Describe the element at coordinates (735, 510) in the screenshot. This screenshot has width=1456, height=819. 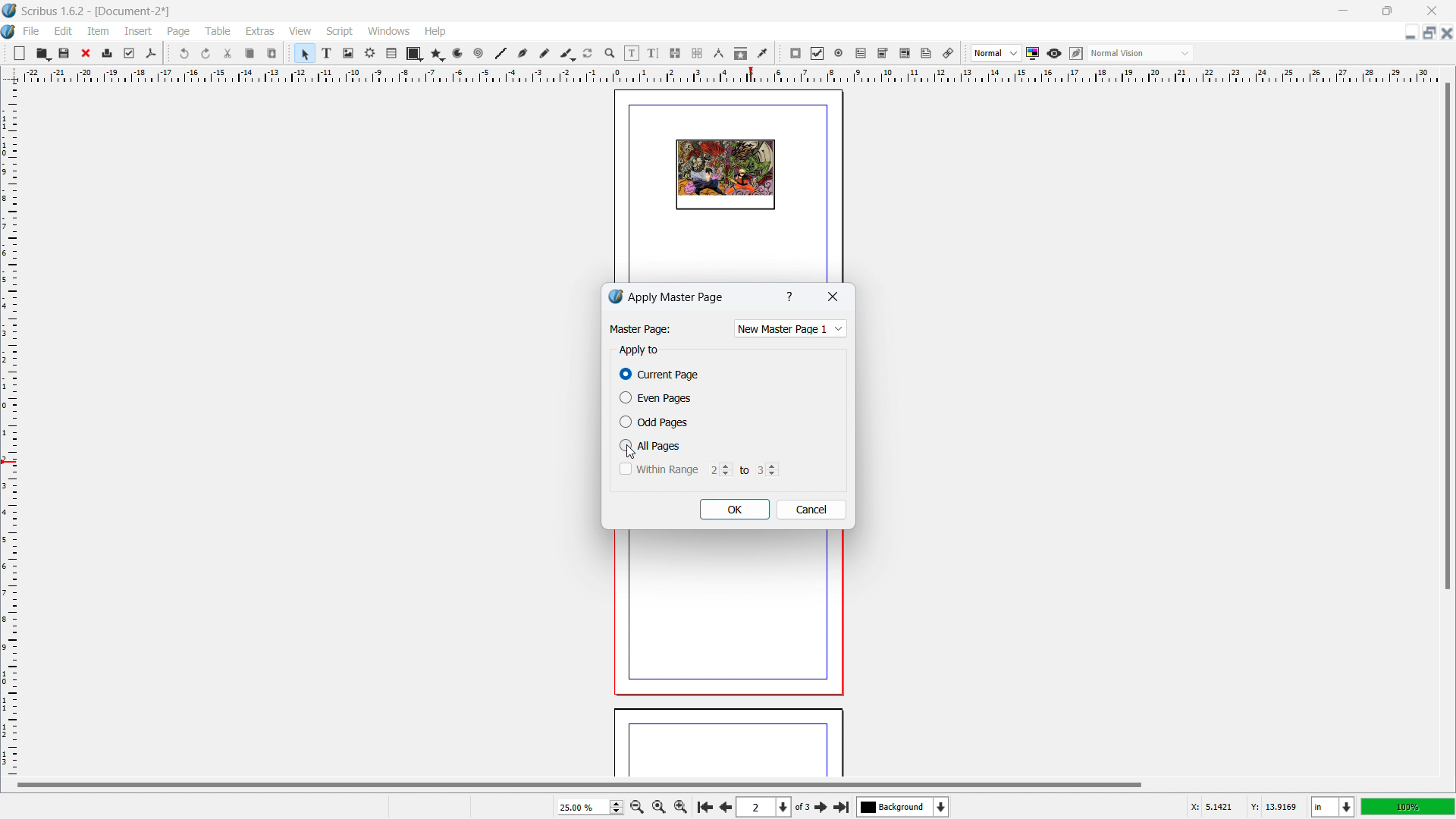
I see `ok` at that location.